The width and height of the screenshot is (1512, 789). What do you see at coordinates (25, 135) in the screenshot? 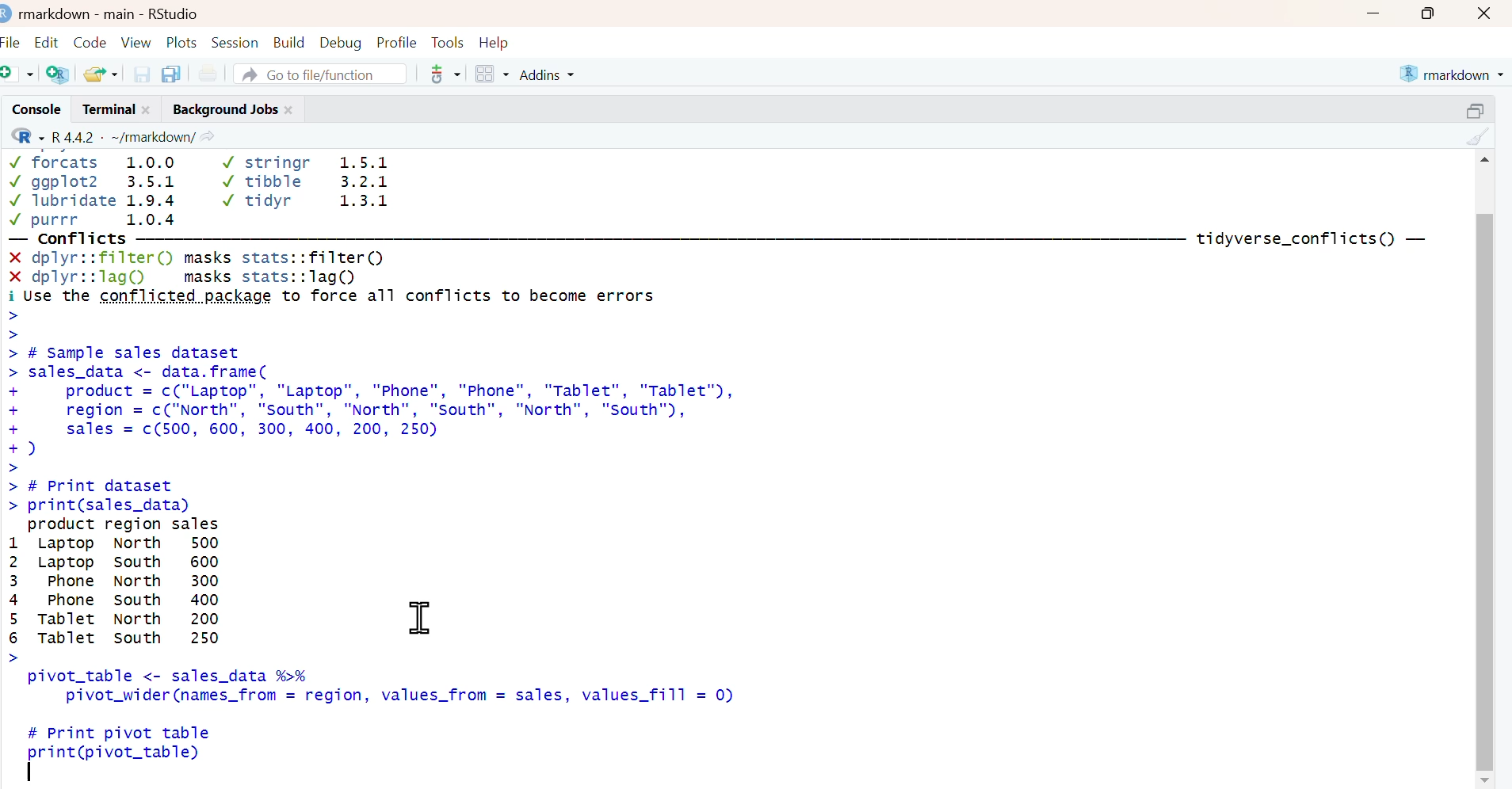
I see `R` at bounding box center [25, 135].